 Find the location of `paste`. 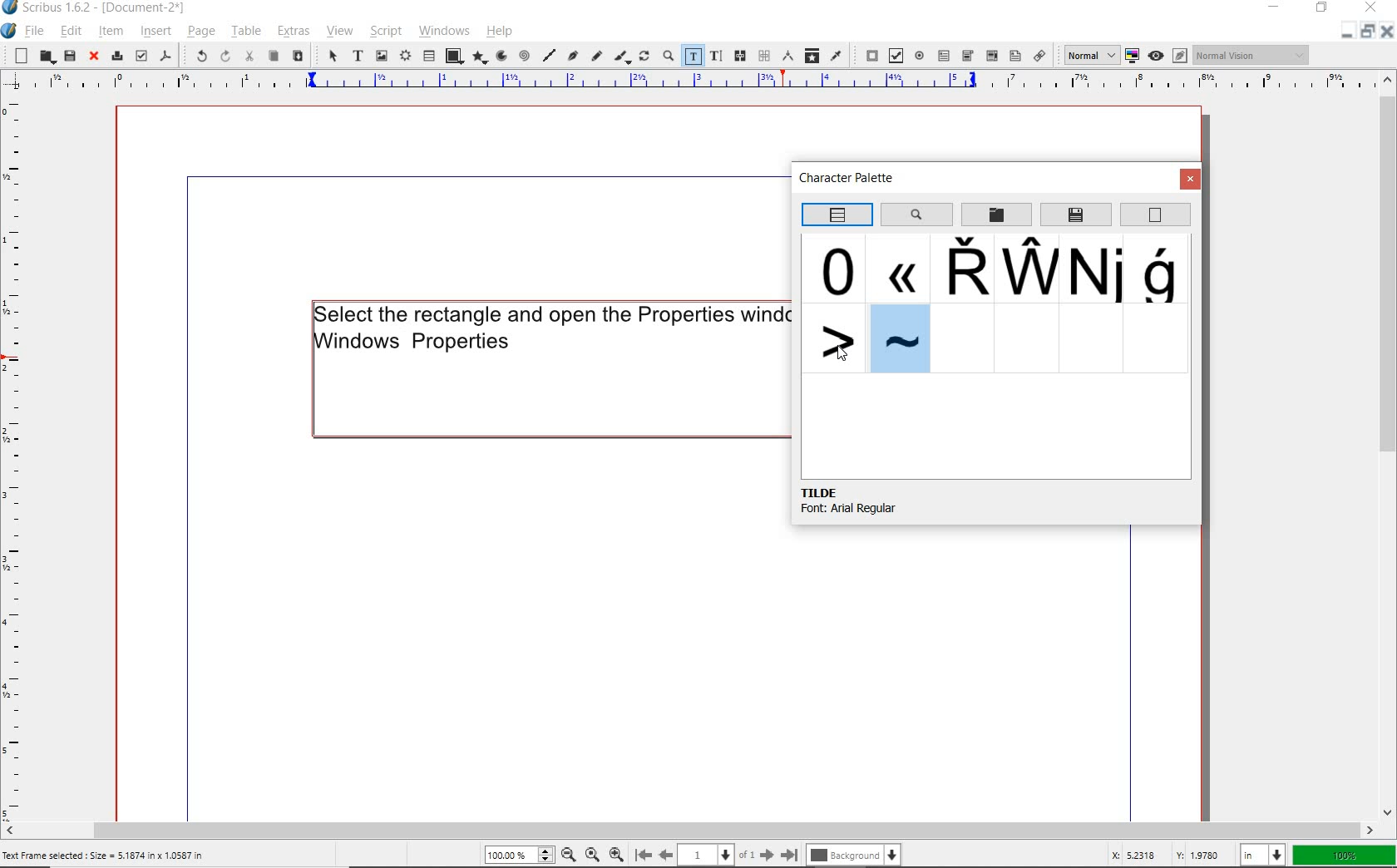

paste is located at coordinates (299, 57).